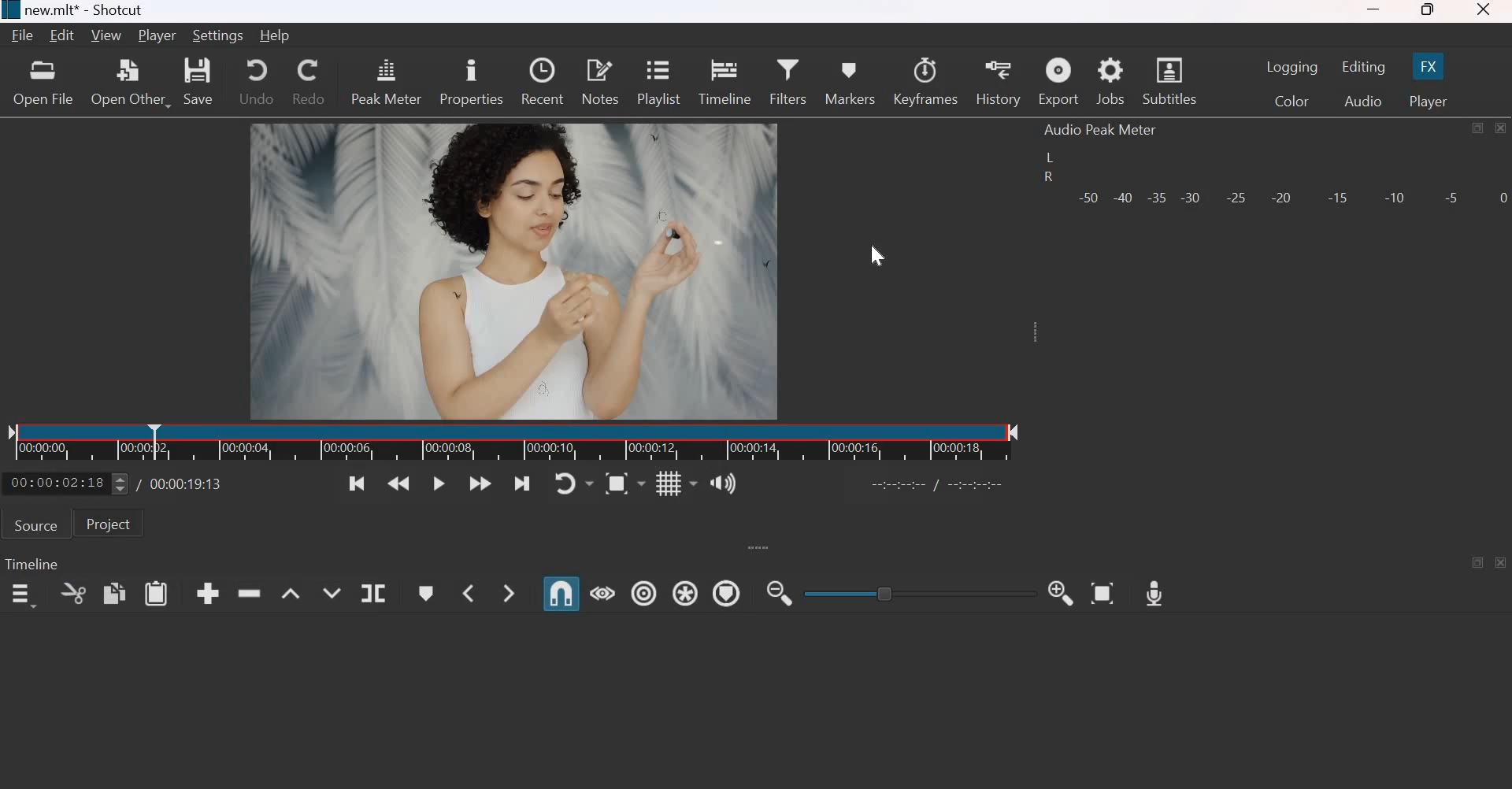 The image size is (1512, 789). What do you see at coordinates (1362, 67) in the screenshot?
I see `Editing` at bounding box center [1362, 67].